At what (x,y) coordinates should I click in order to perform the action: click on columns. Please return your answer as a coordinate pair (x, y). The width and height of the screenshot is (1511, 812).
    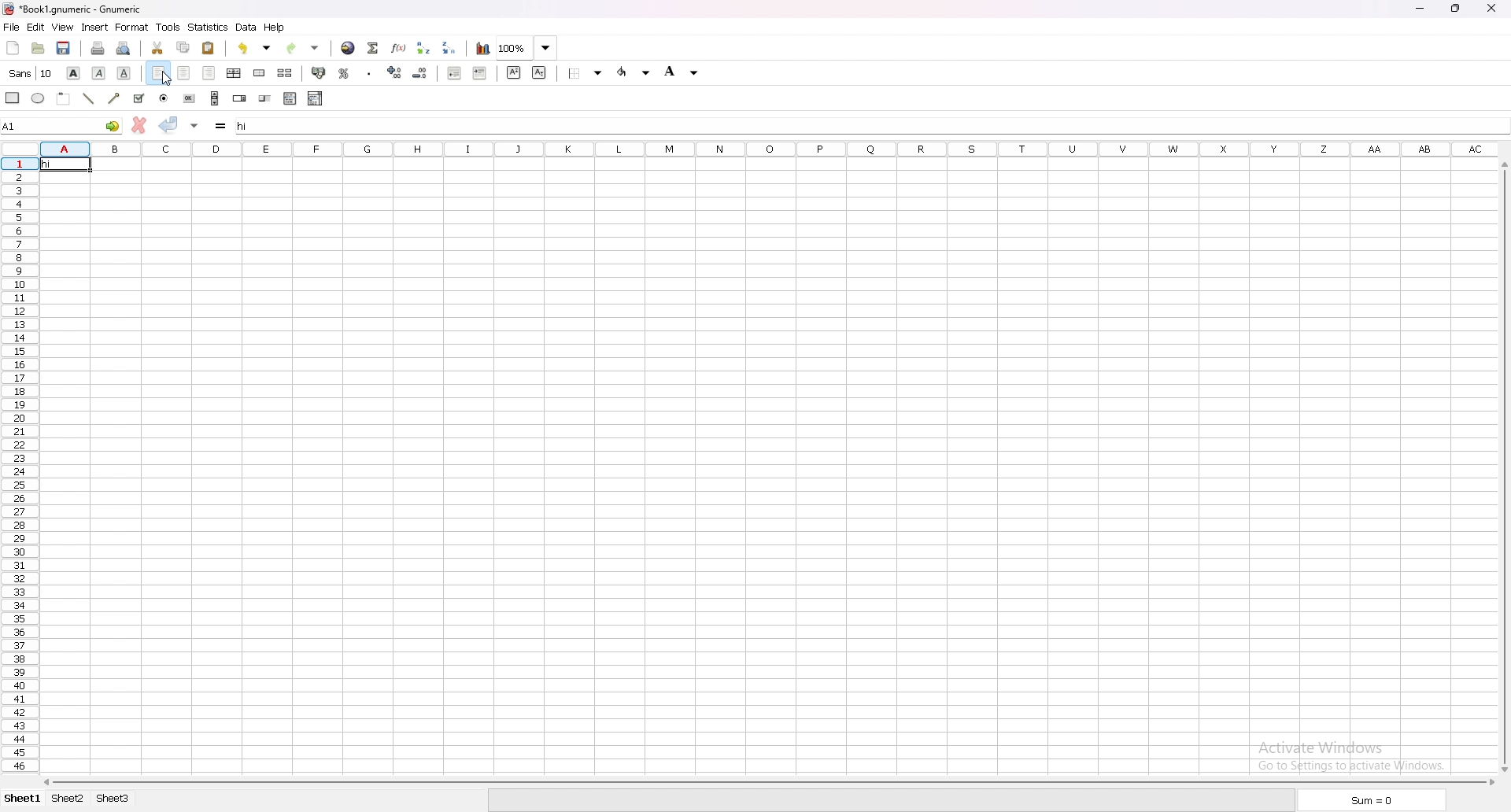
    Looking at the image, I should click on (771, 147).